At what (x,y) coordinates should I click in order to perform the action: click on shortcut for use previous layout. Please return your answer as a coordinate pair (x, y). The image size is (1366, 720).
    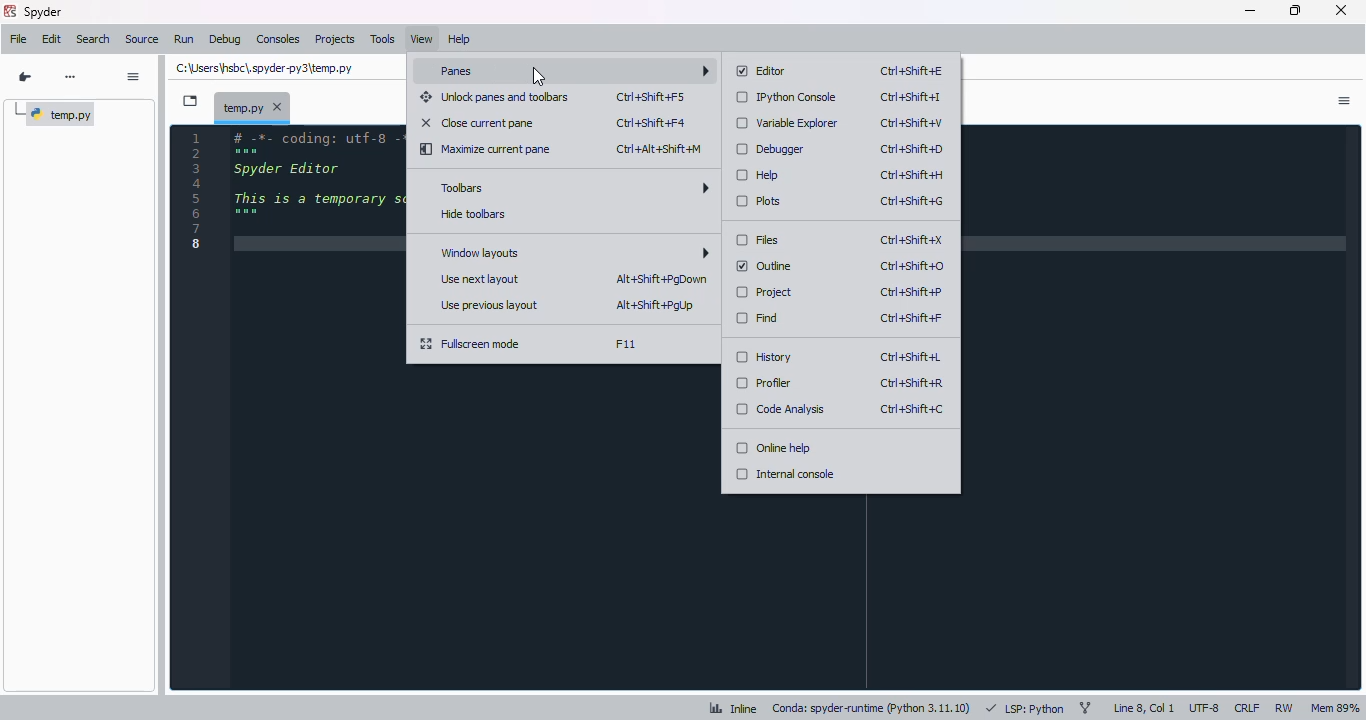
    Looking at the image, I should click on (656, 306).